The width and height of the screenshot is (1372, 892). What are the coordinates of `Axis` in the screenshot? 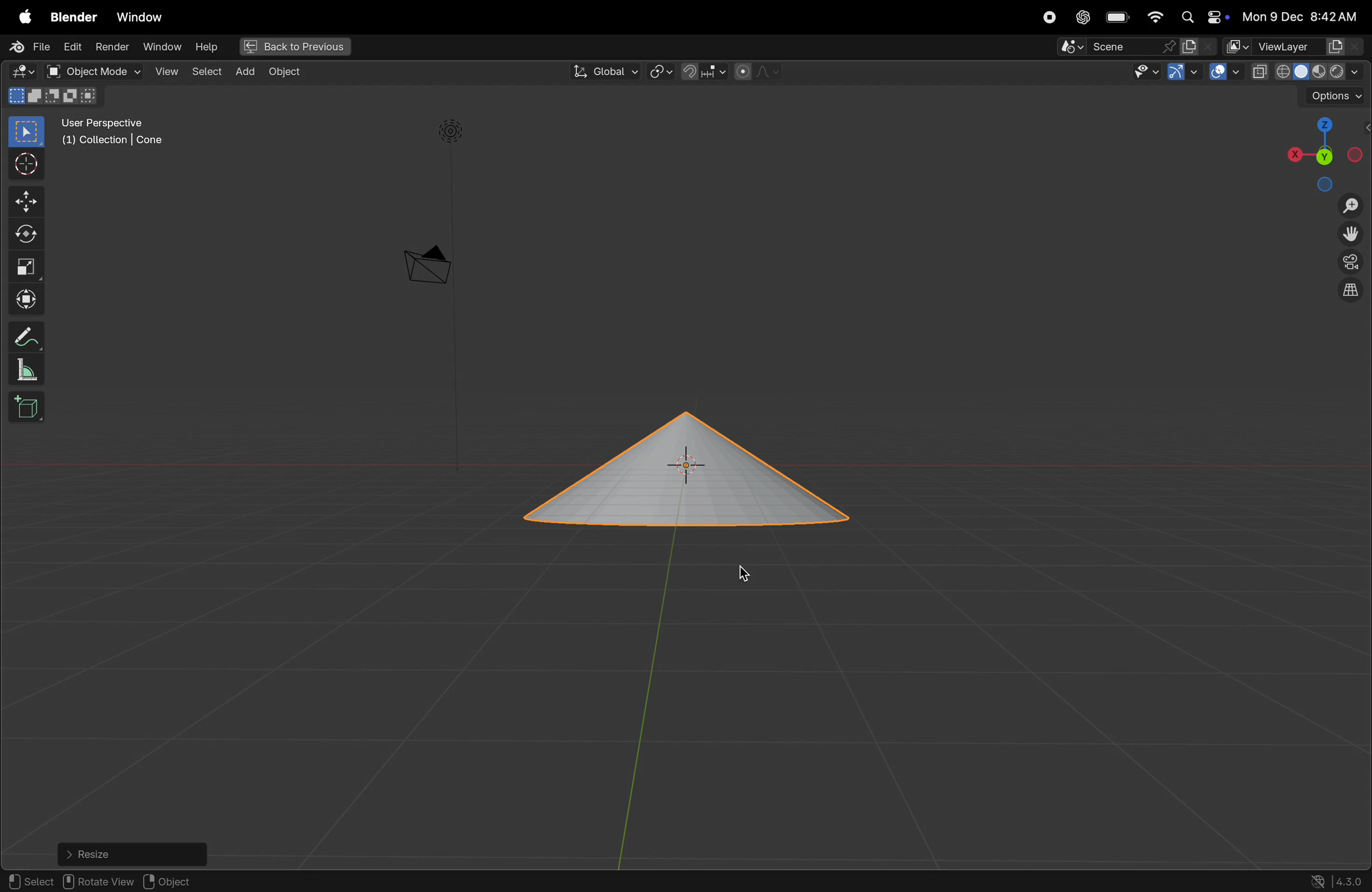 It's located at (168, 881).